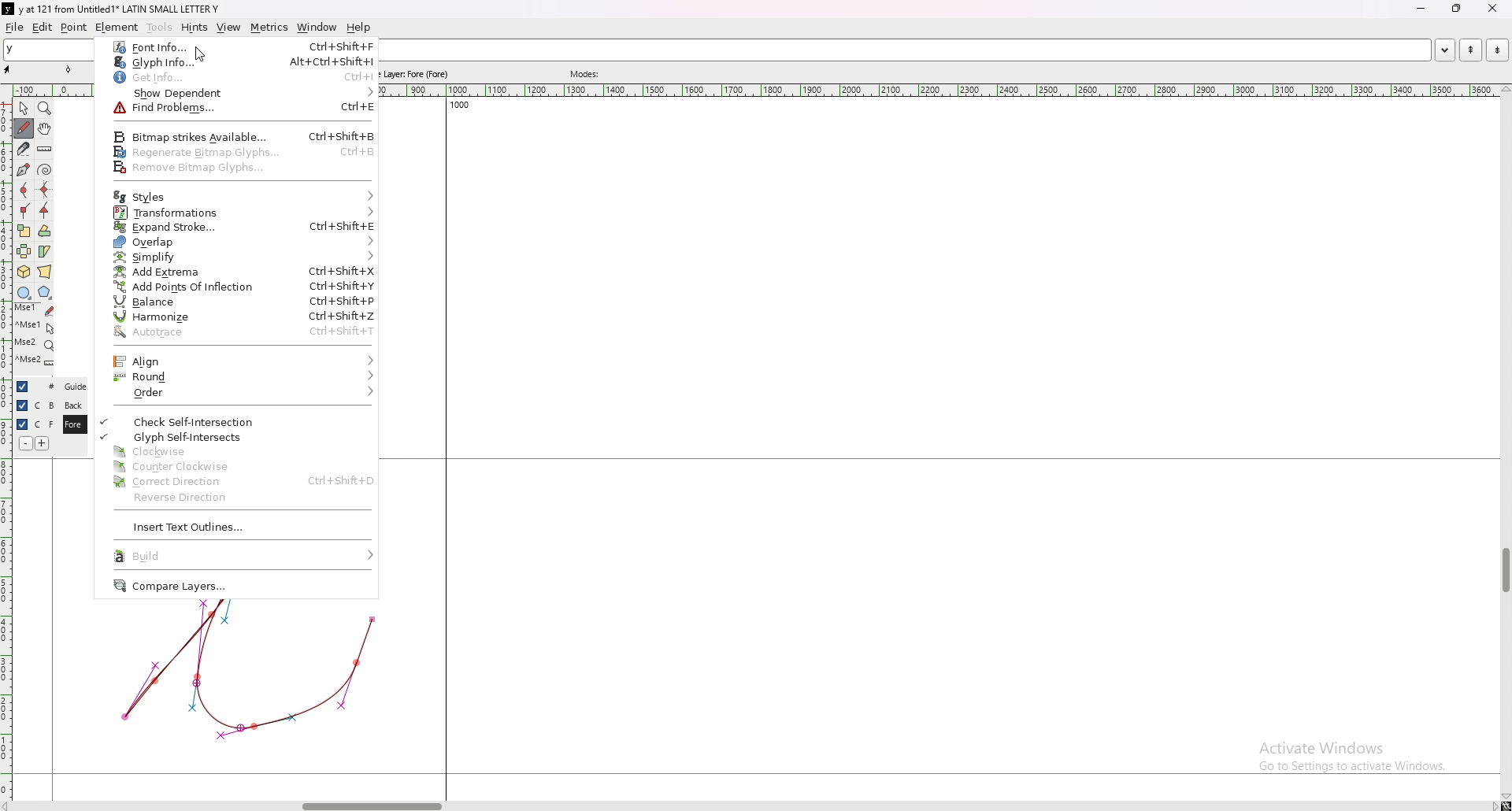 The height and width of the screenshot is (811, 1512). What do you see at coordinates (25, 443) in the screenshot?
I see `remove layer` at bounding box center [25, 443].